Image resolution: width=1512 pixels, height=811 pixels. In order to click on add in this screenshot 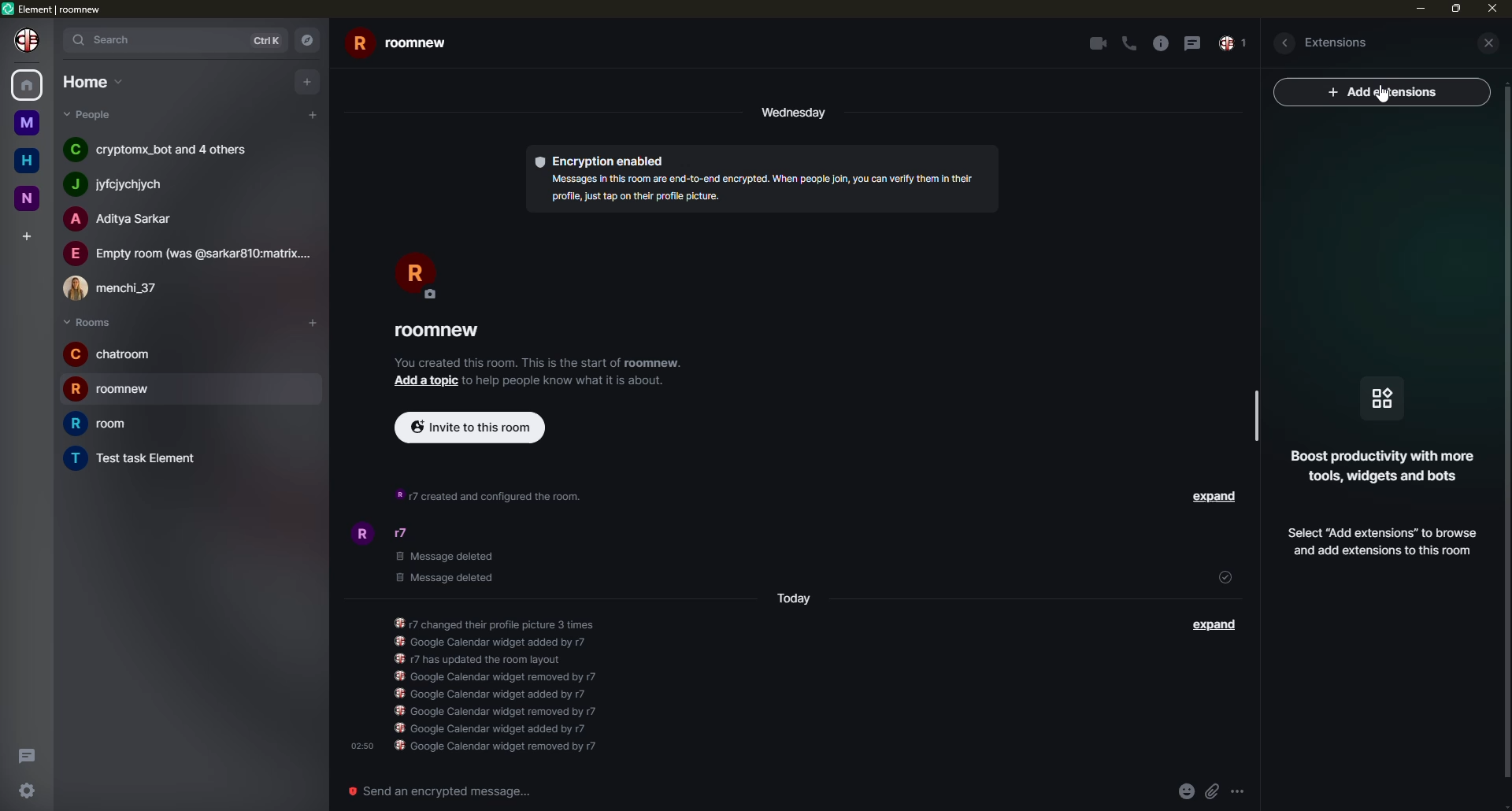, I will do `click(310, 113)`.